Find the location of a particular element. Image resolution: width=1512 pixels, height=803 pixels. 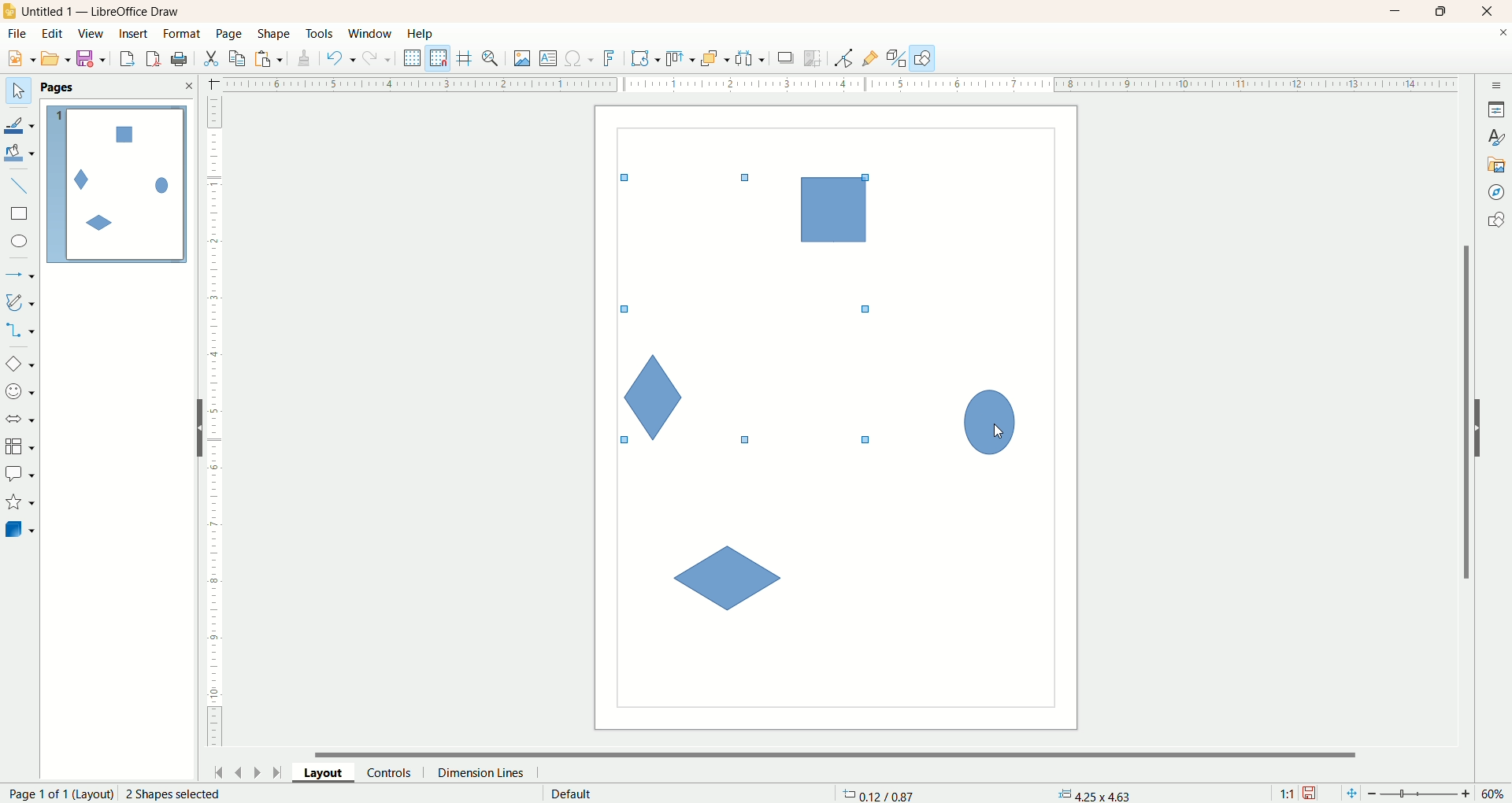

stars and banners is located at coordinates (19, 501).